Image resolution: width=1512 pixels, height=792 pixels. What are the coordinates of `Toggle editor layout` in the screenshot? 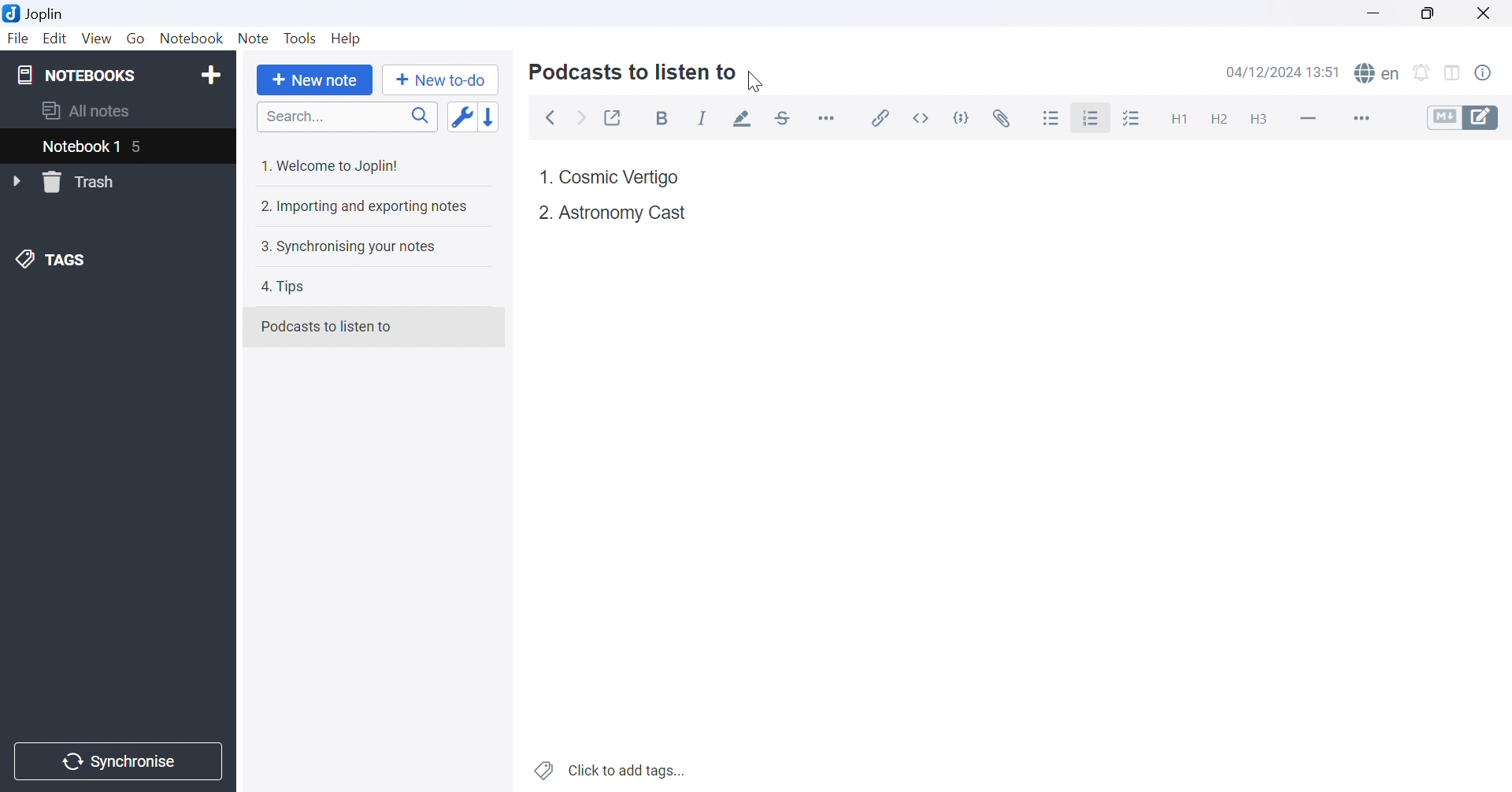 It's located at (1453, 73).